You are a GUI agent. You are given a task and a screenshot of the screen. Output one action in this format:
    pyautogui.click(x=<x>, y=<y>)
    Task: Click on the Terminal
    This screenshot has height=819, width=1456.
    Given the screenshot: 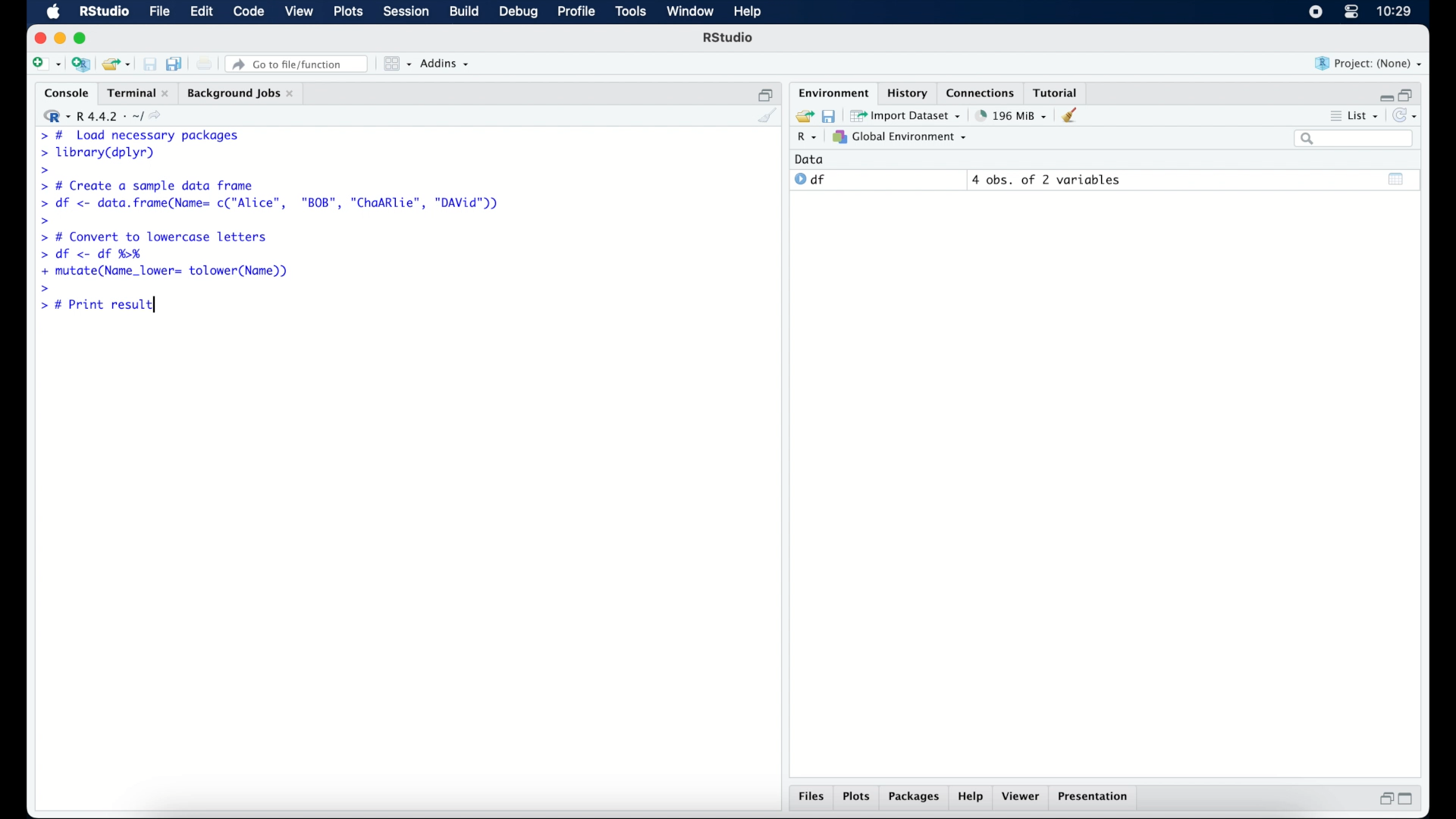 What is the action you would take?
    pyautogui.click(x=133, y=93)
    